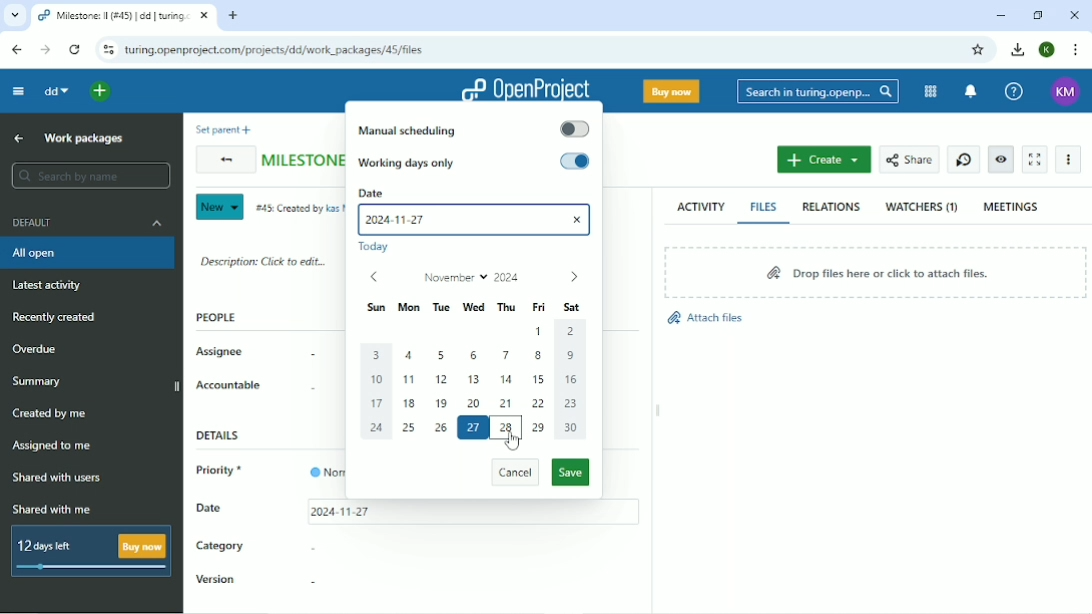 The height and width of the screenshot is (614, 1092). I want to click on Shared with me, so click(55, 509).